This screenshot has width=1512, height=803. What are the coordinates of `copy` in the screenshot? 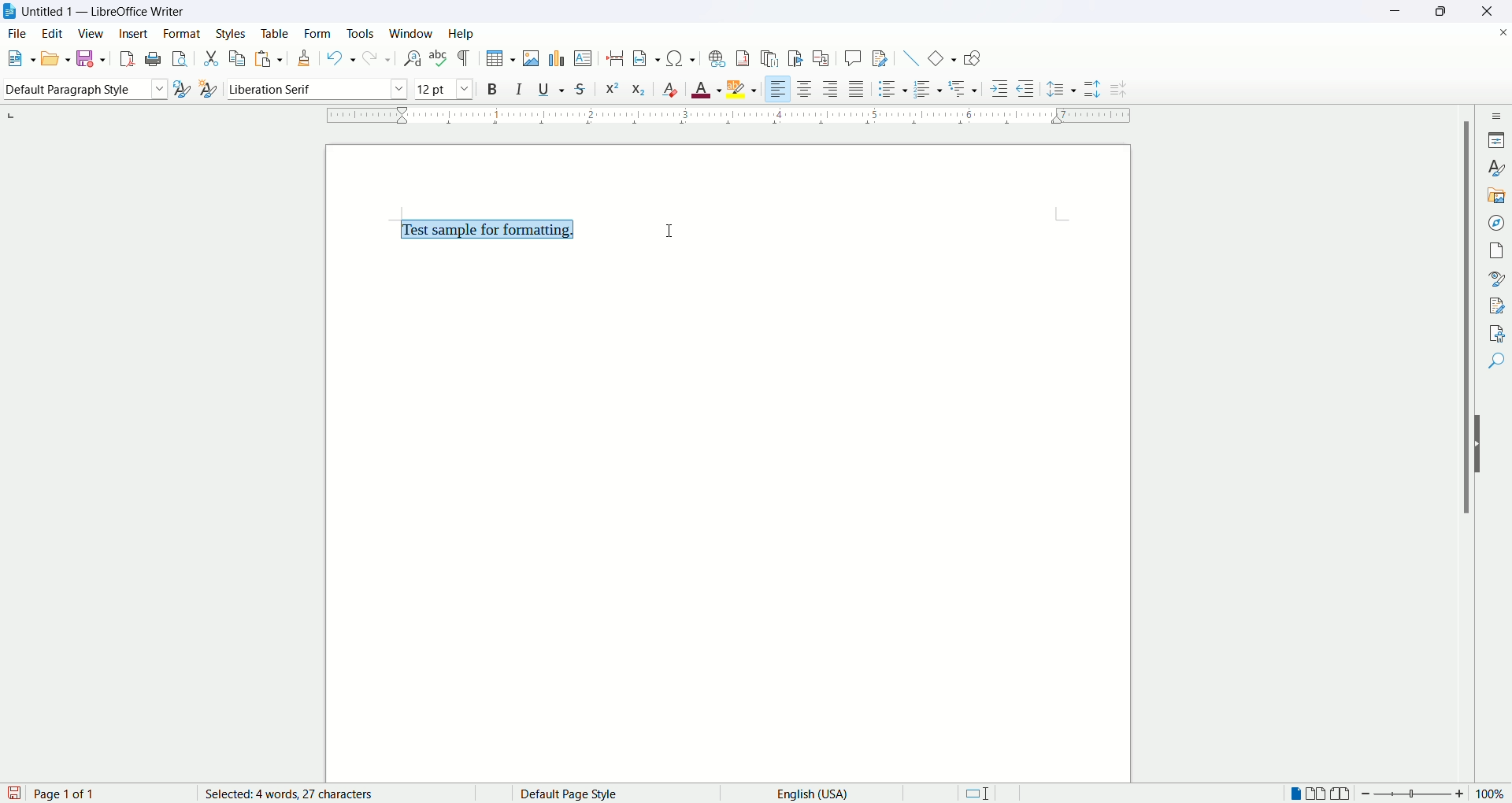 It's located at (238, 60).